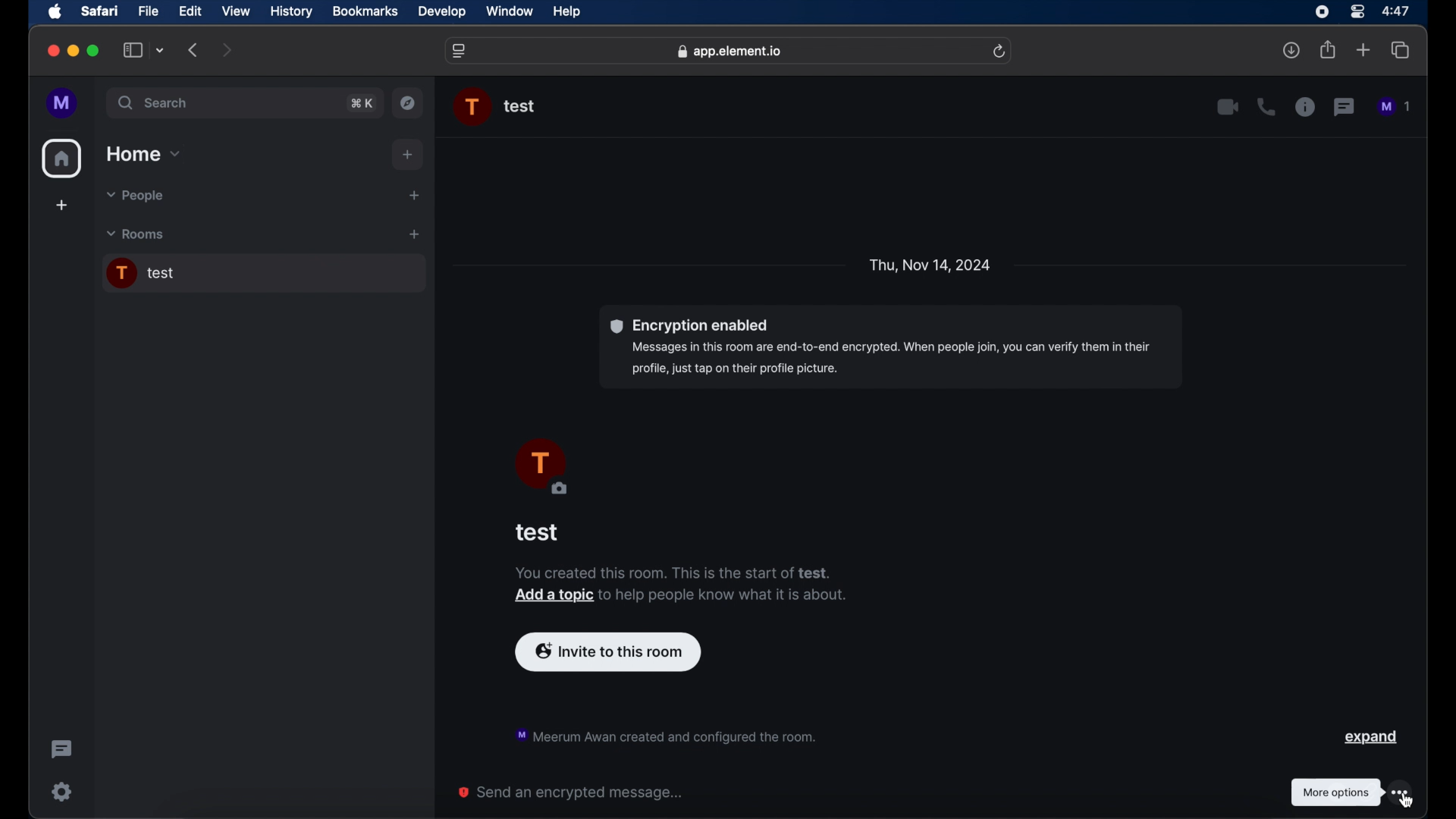 The width and height of the screenshot is (1456, 819). Describe the element at coordinates (1410, 803) in the screenshot. I see `Cursor` at that location.